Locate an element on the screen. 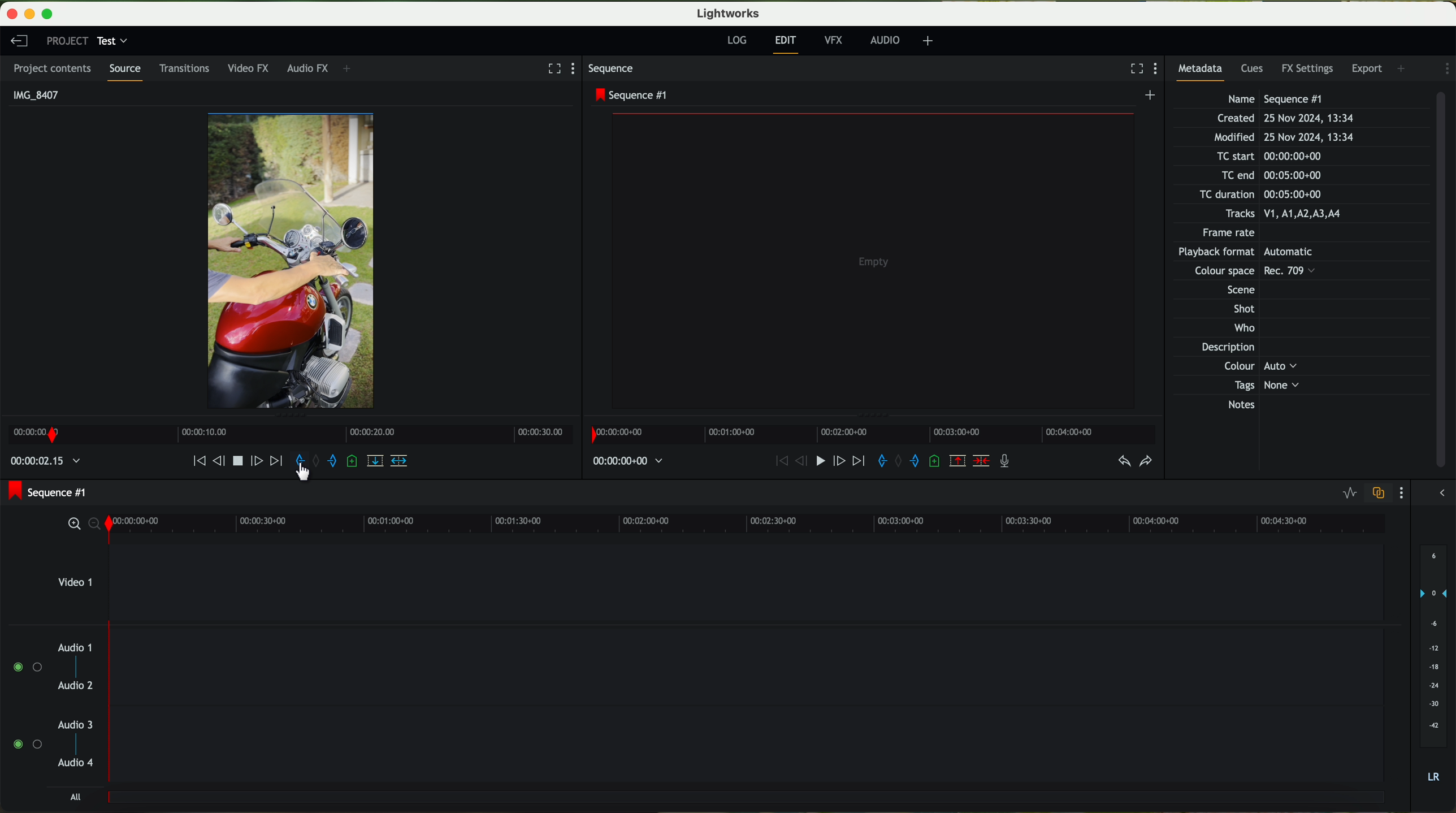  Lightworks is located at coordinates (727, 14).